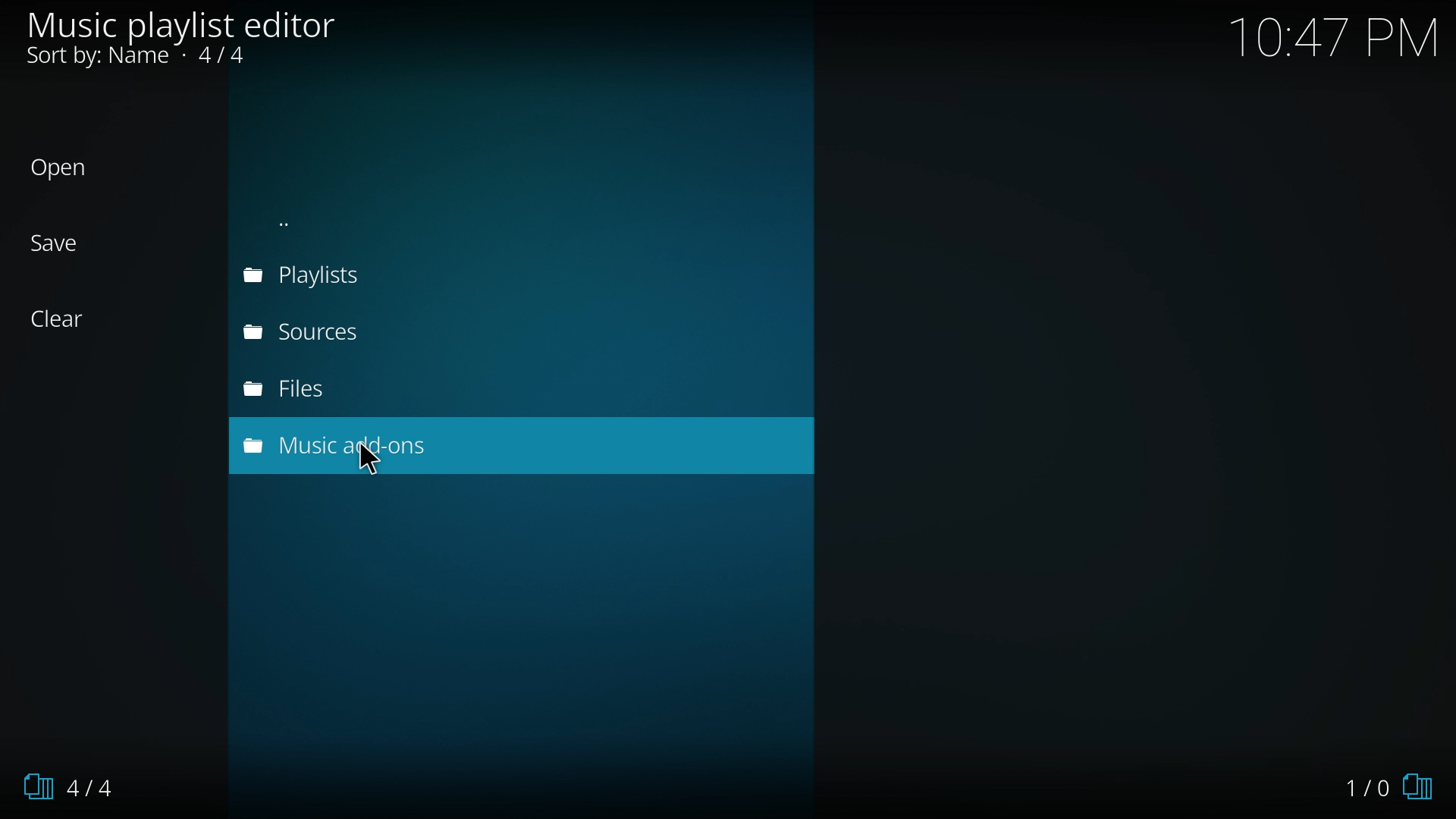  What do you see at coordinates (311, 388) in the screenshot?
I see `files` at bounding box center [311, 388].